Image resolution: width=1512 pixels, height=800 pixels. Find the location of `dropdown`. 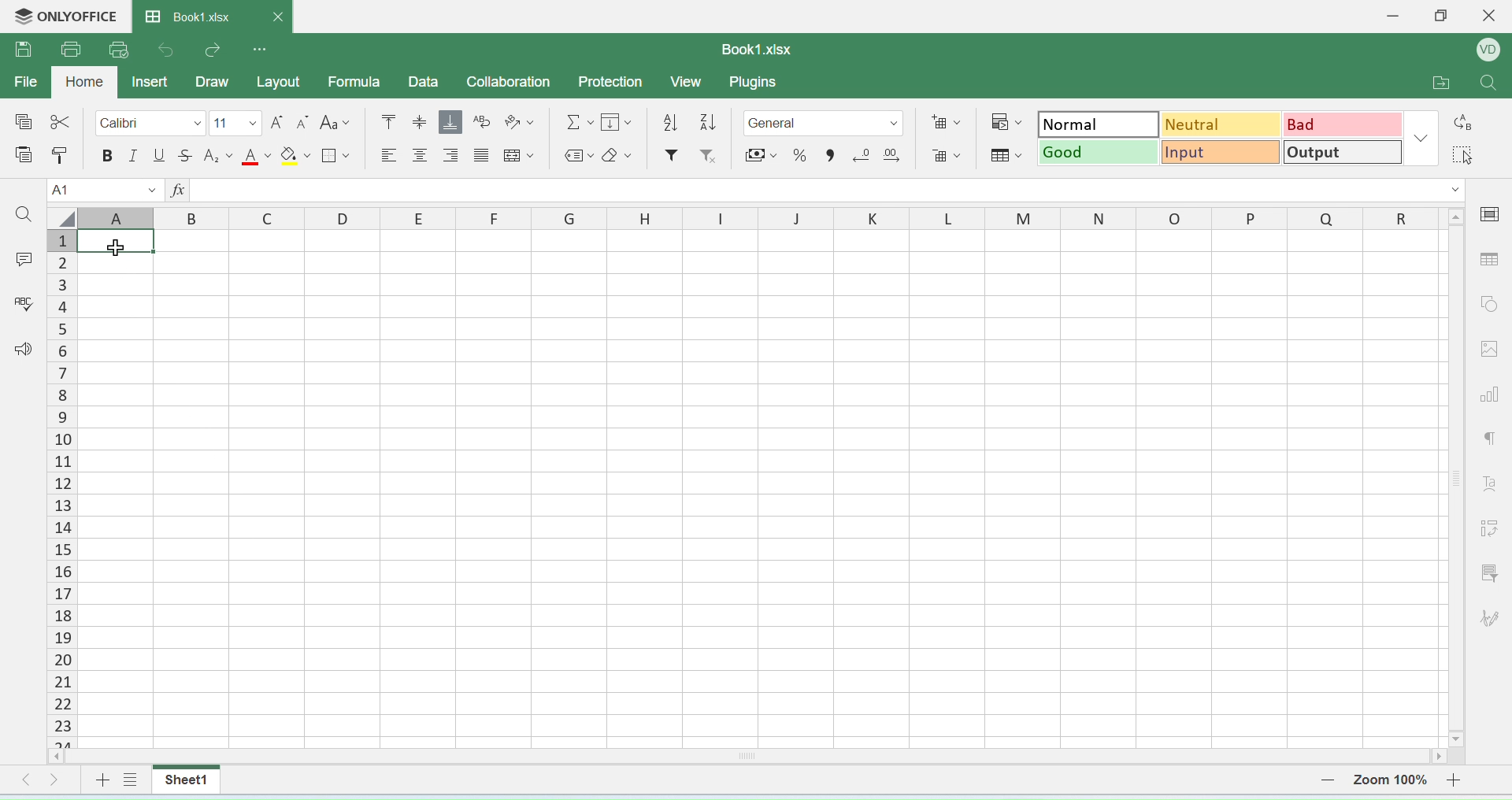

dropdown is located at coordinates (1423, 139).